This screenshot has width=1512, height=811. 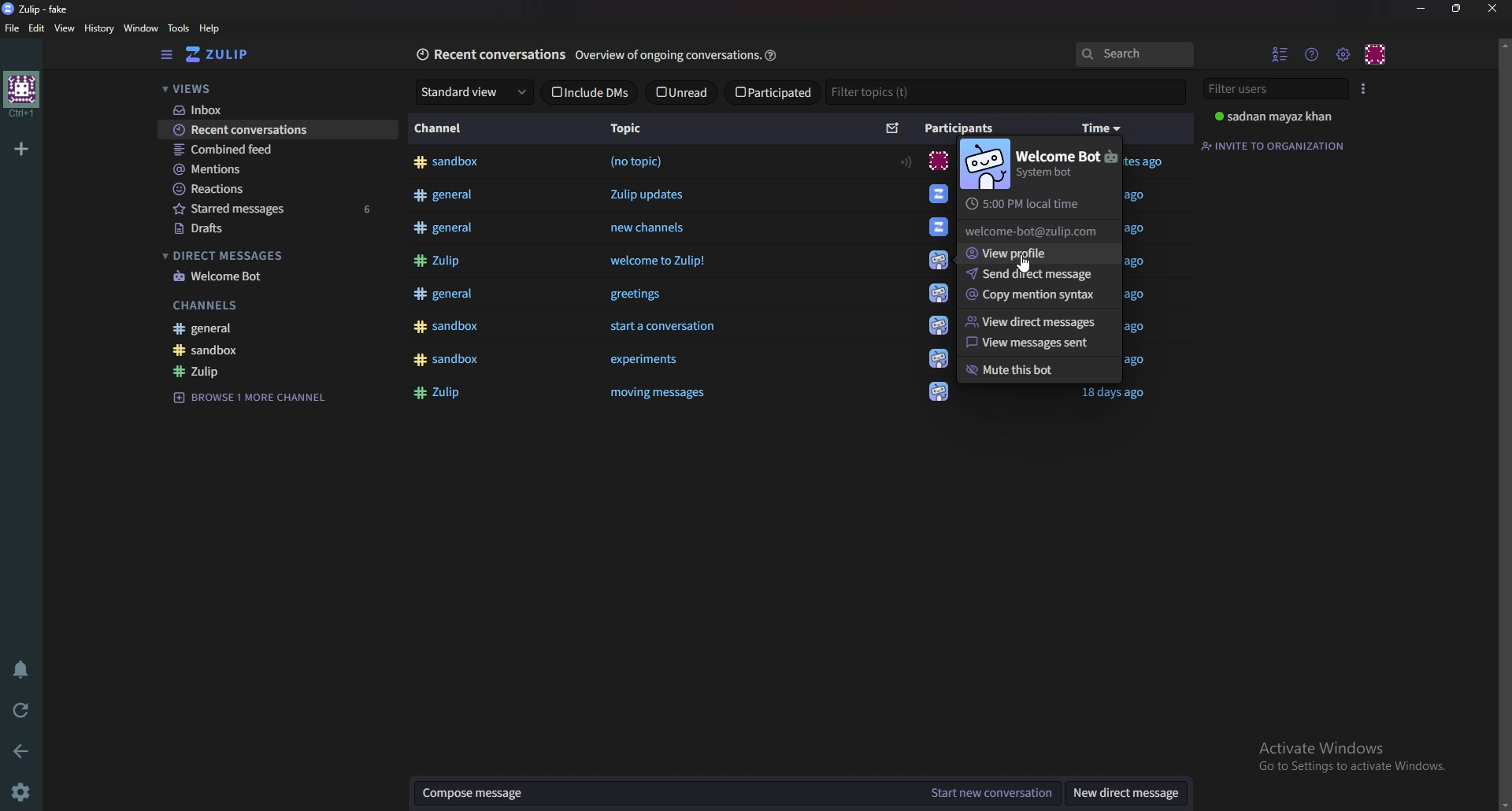 What do you see at coordinates (1032, 231) in the screenshot?
I see `Email` at bounding box center [1032, 231].